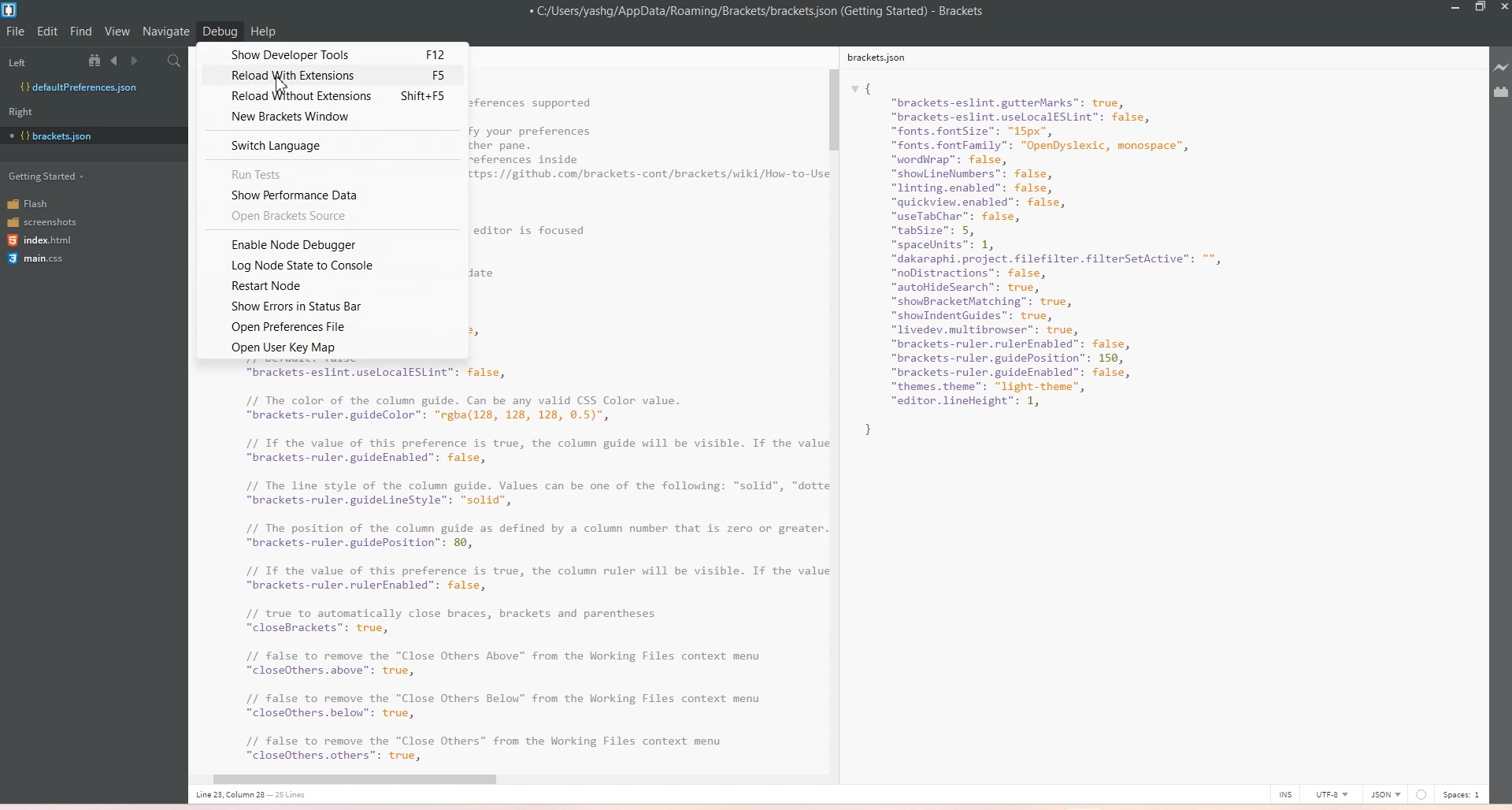 This screenshot has width=1512, height=810. Describe the element at coordinates (499, 780) in the screenshot. I see `Horizontal scroll bar` at that location.